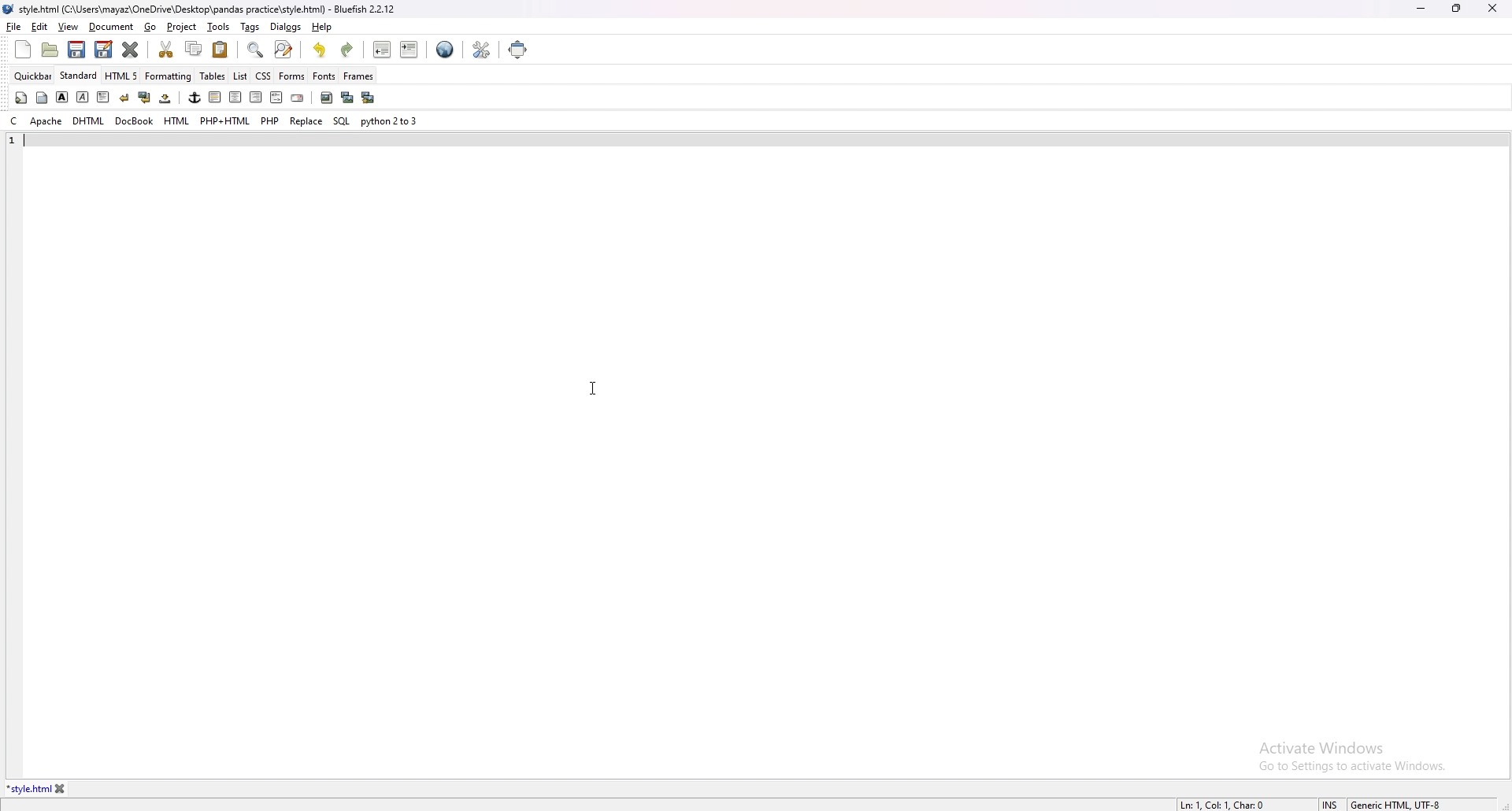 Image resolution: width=1512 pixels, height=811 pixels. I want to click on cut, so click(168, 49).